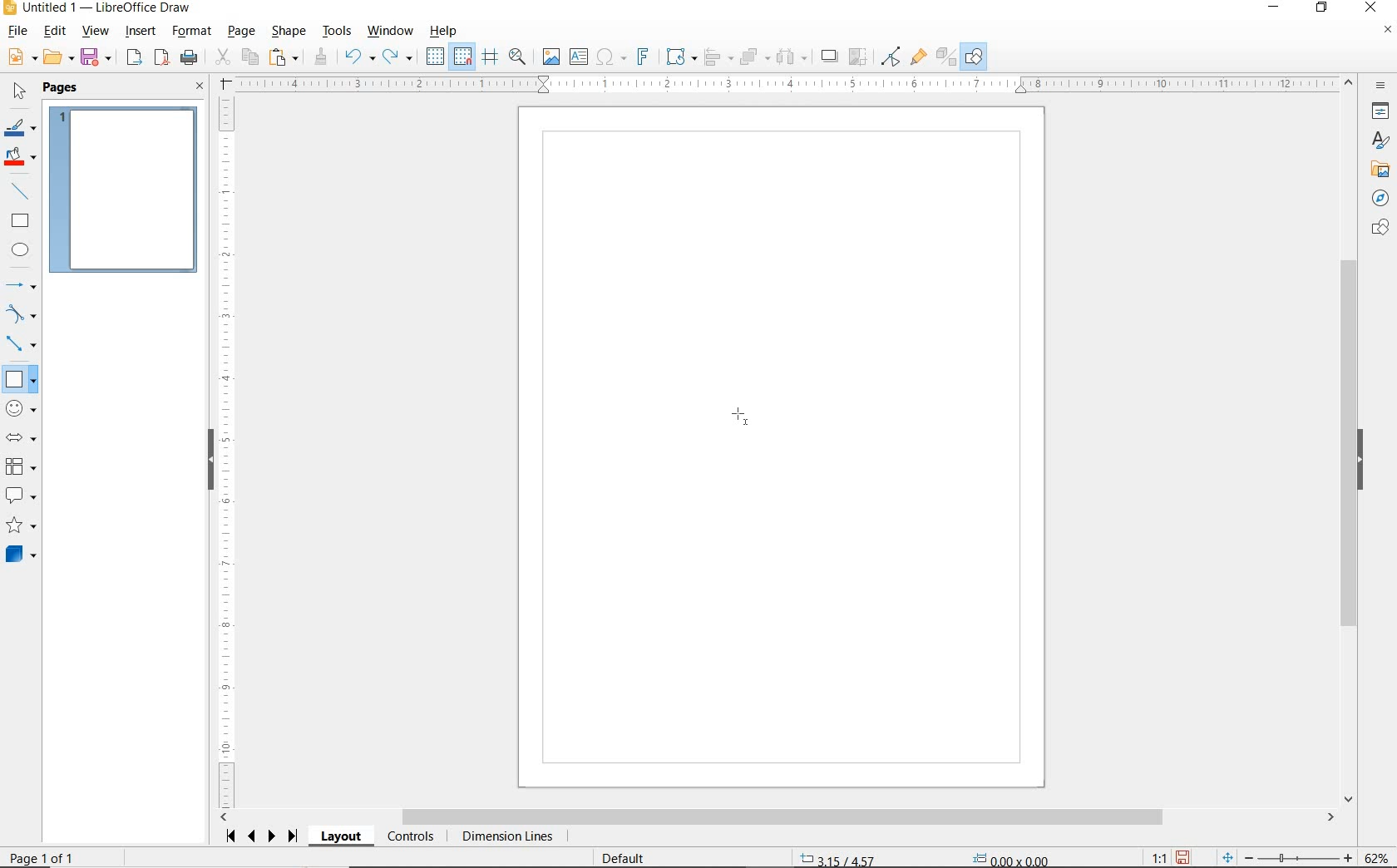 The height and width of the screenshot is (868, 1397). I want to click on HELPLINES WHILE MOVING, so click(493, 59).